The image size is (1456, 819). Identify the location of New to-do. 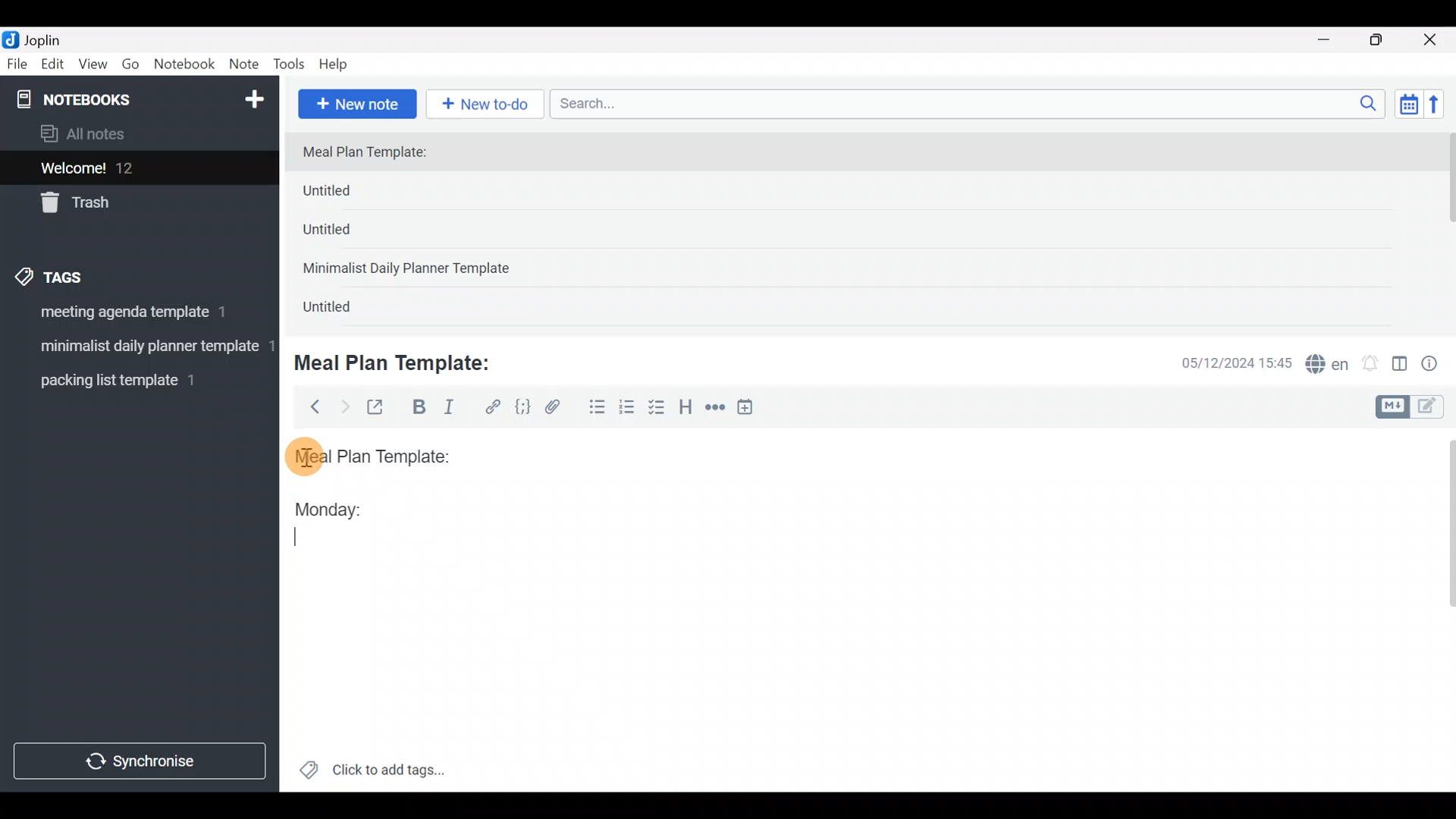
(488, 105).